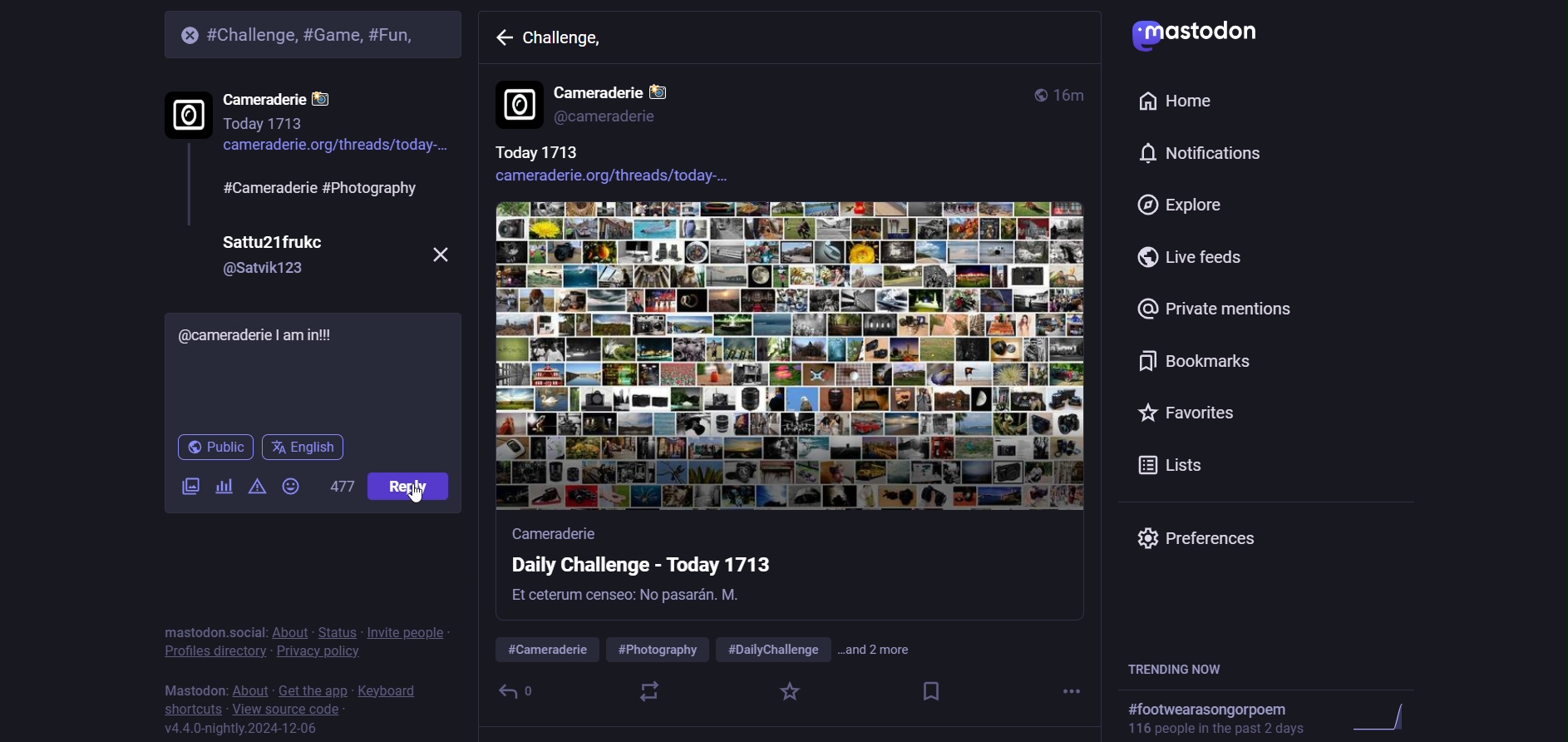 The image size is (1568, 742). What do you see at coordinates (1196, 258) in the screenshot?
I see `live feed` at bounding box center [1196, 258].